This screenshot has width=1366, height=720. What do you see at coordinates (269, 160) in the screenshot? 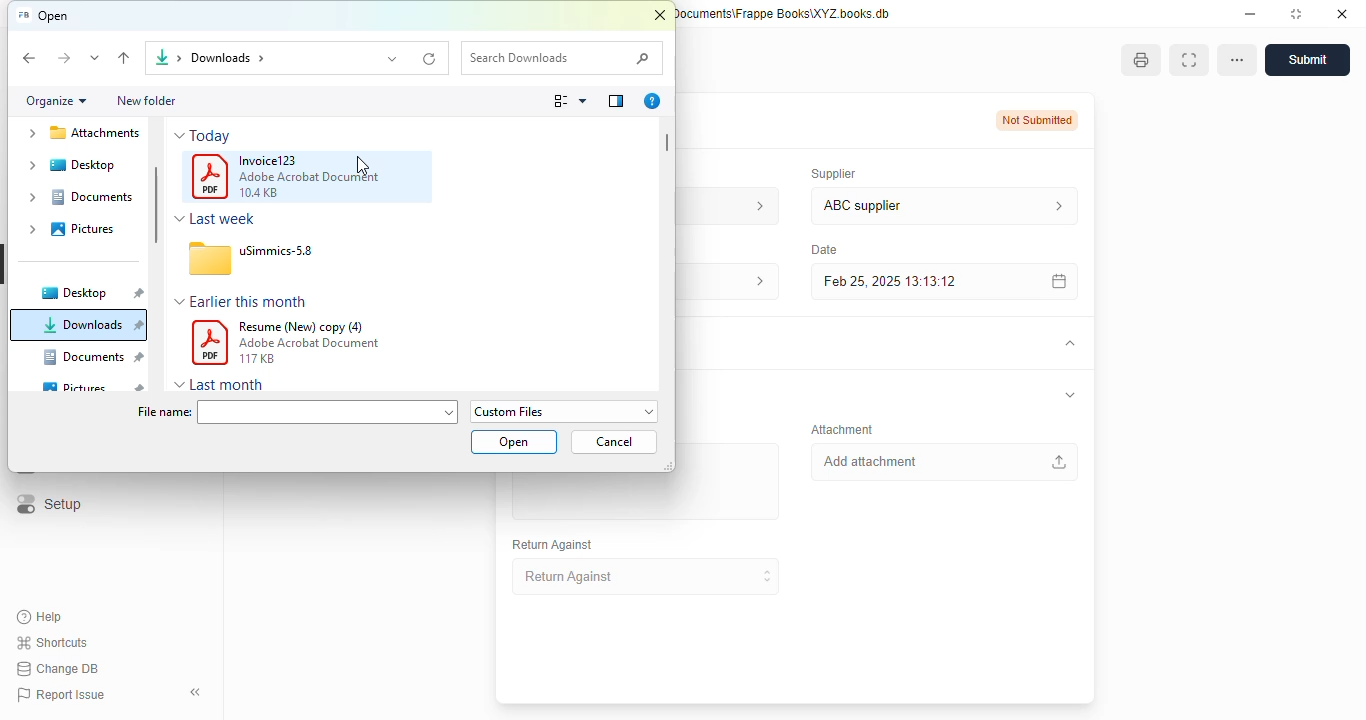
I see `invoice123` at bounding box center [269, 160].